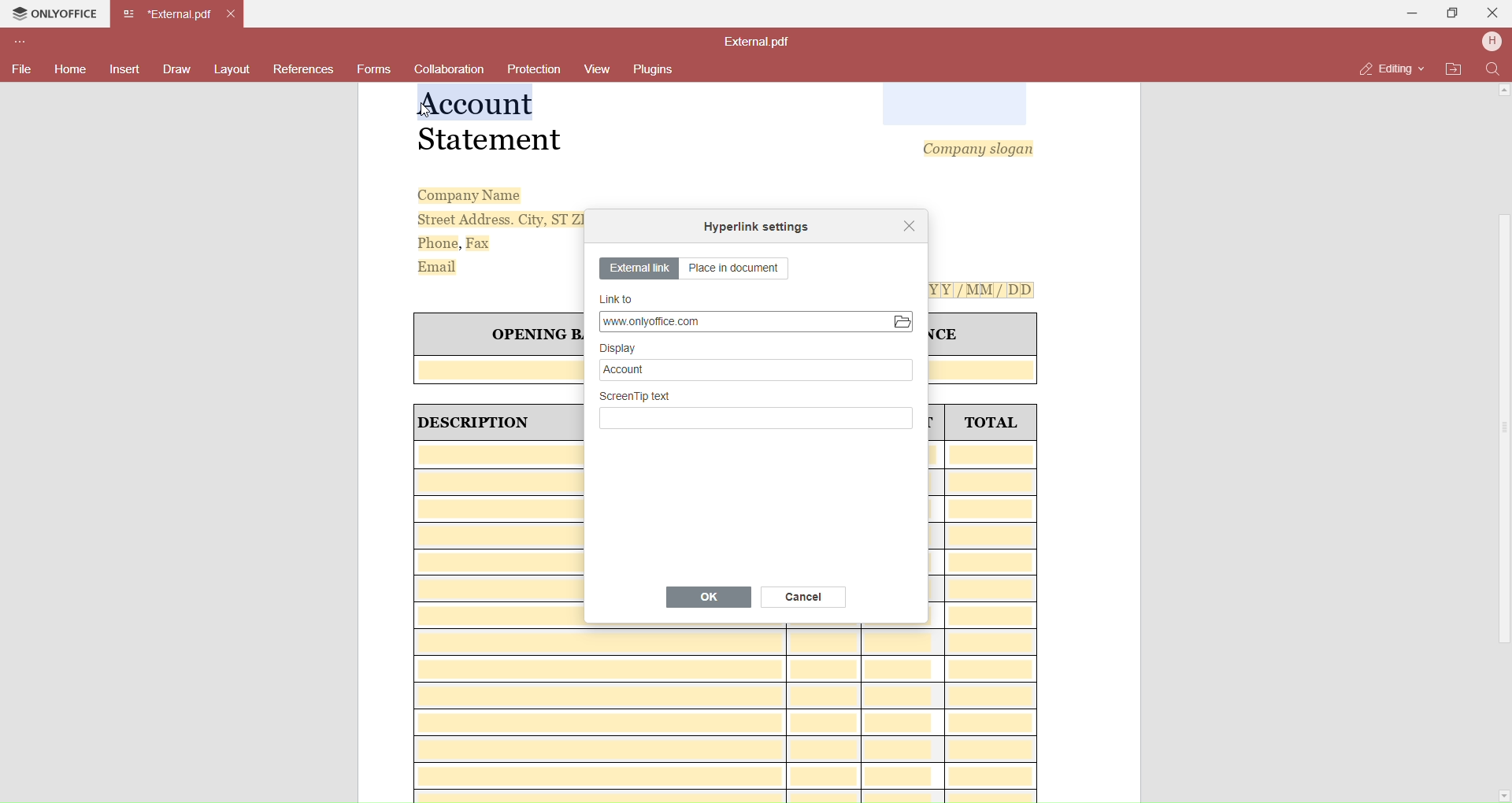 Image resolution: width=1512 pixels, height=803 pixels. What do you see at coordinates (642, 395) in the screenshot?
I see `Screen tip text` at bounding box center [642, 395].